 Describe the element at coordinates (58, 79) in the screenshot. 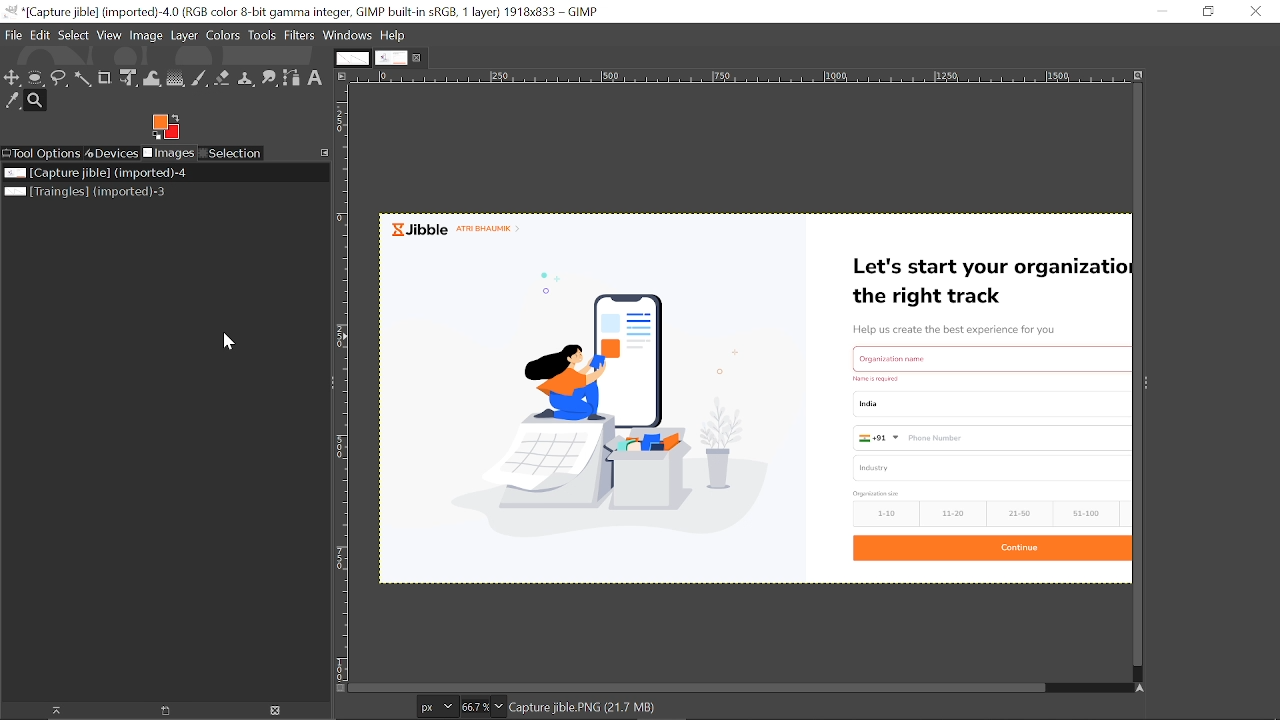

I see `Free select tool` at that location.